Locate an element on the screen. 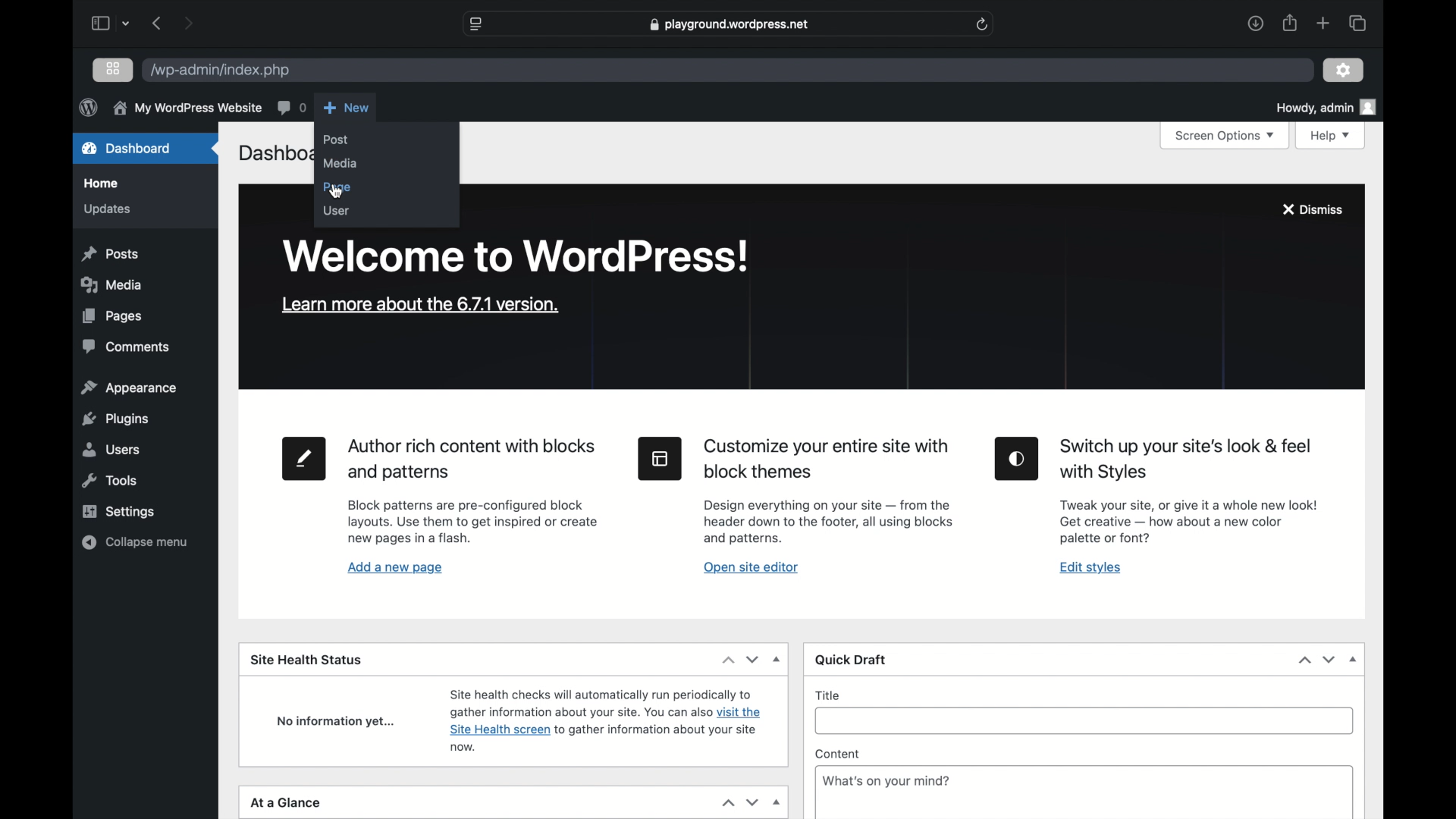 This screenshot has width=1456, height=819. cursor is located at coordinates (337, 193).